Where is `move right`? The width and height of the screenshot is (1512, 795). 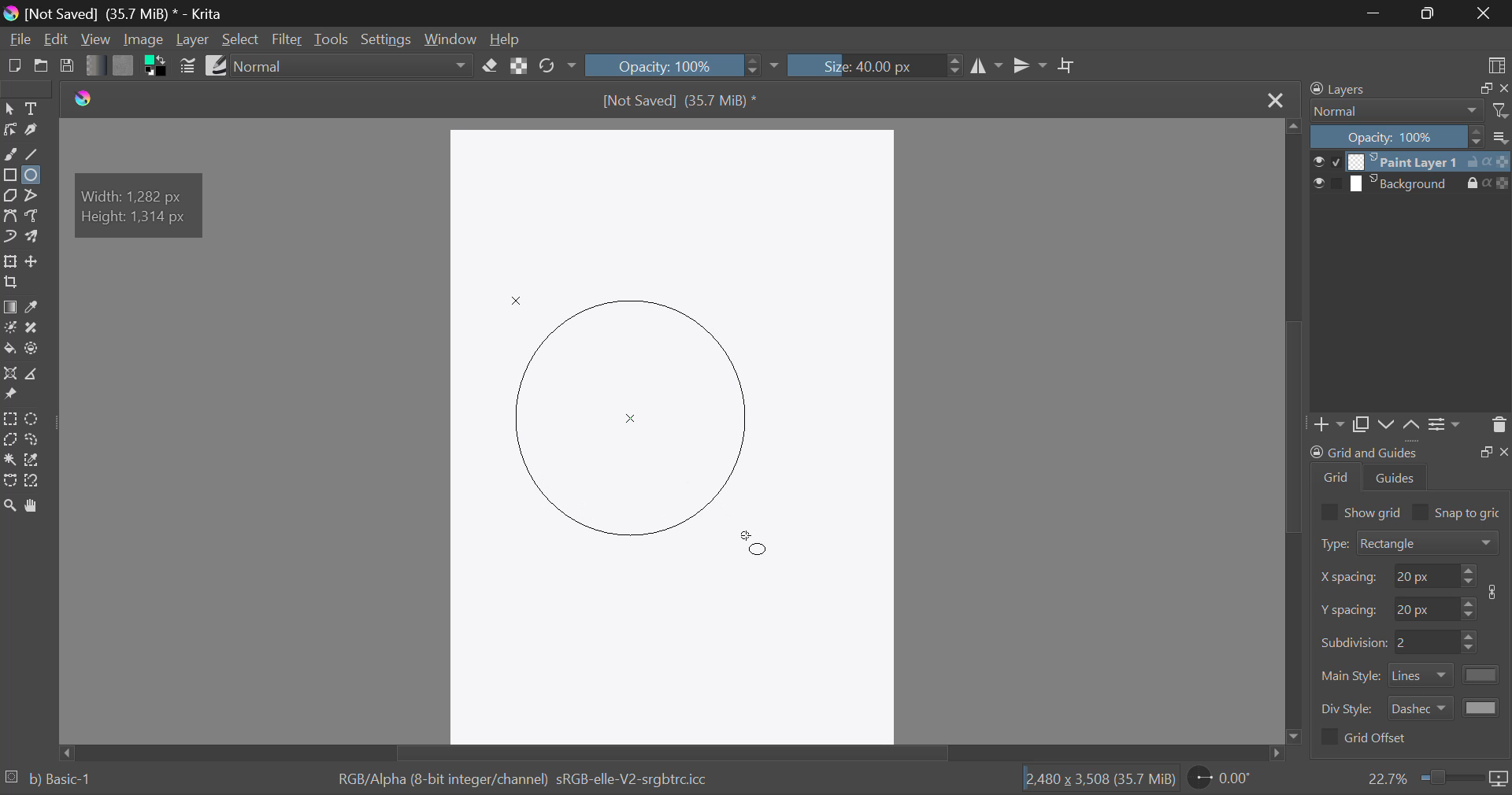
move right is located at coordinates (1283, 753).